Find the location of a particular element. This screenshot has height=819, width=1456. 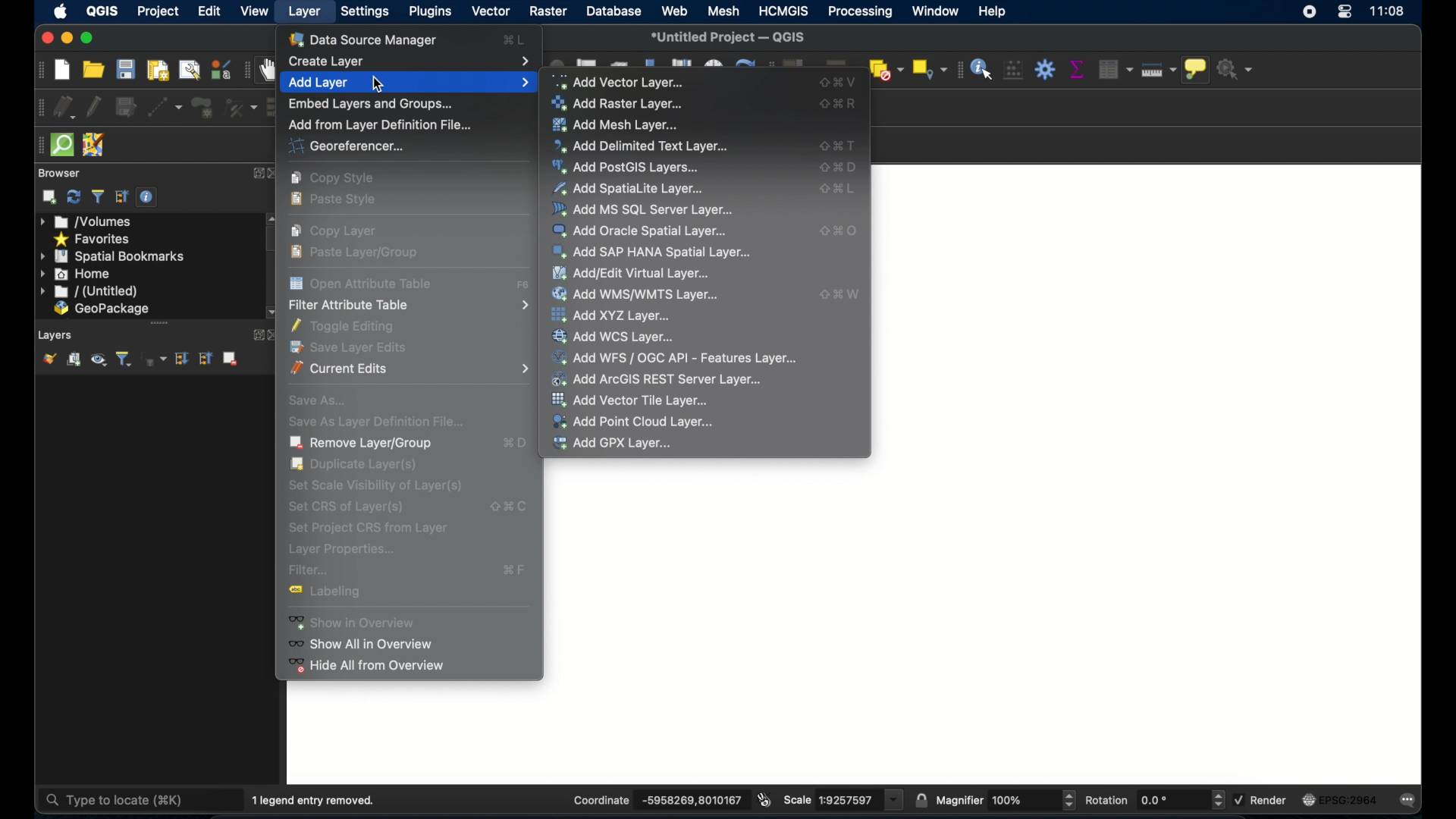

filter is located at coordinates (310, 571).